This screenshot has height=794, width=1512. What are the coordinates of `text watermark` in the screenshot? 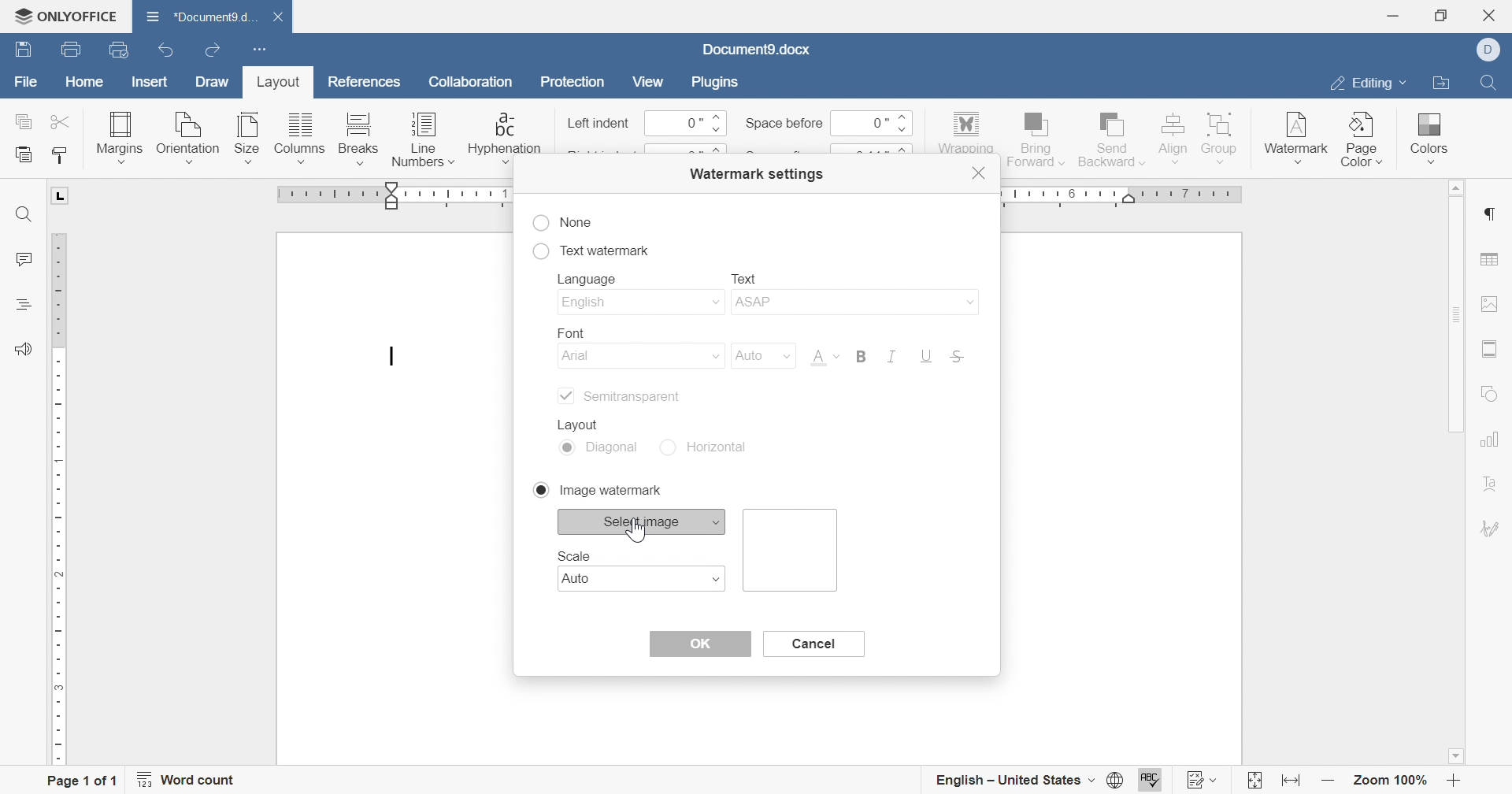 It's located at (591, 248).